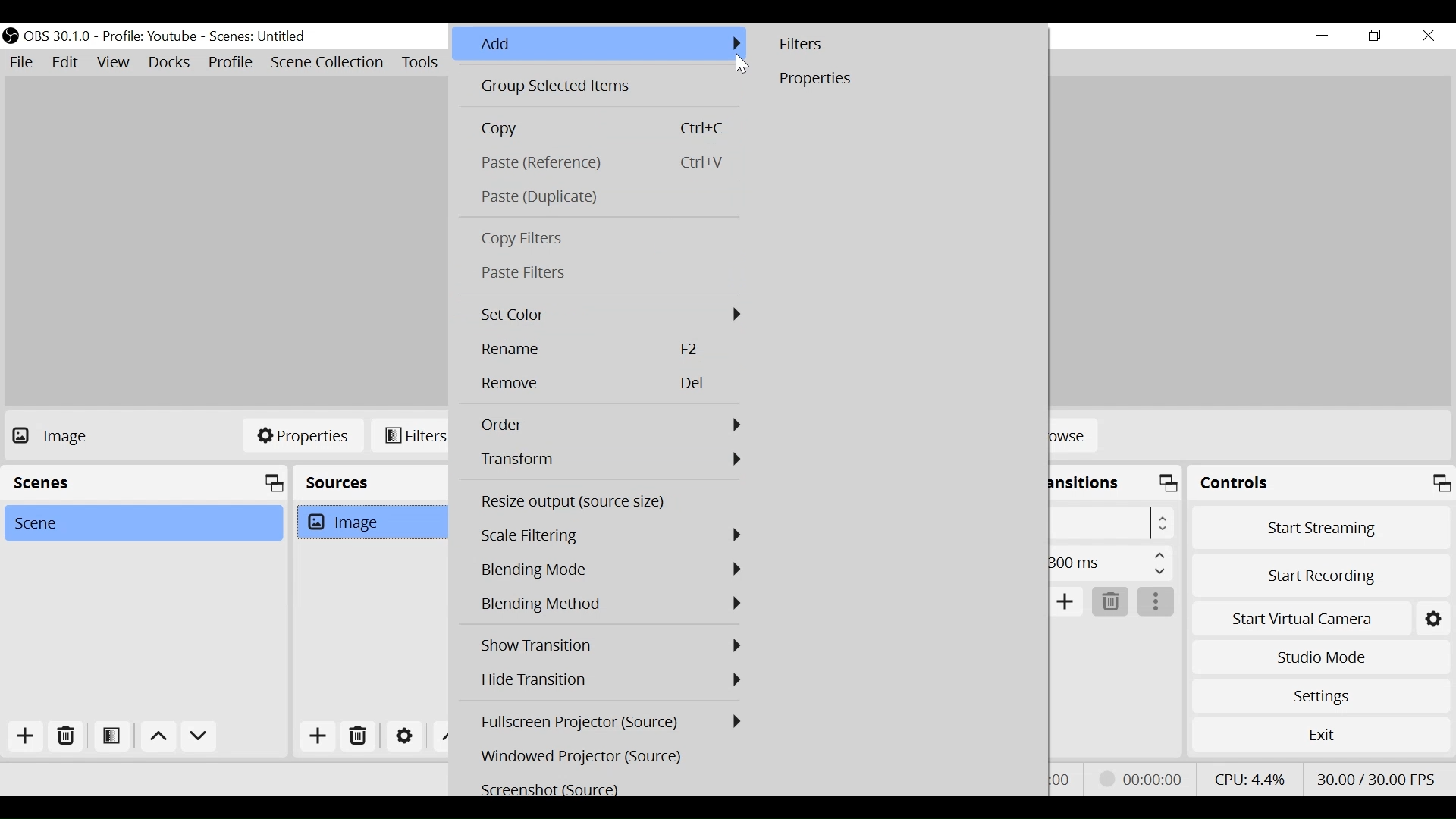 The image size is (1456, 819). What do you see at coordinates (68, 738) in the screenshot?
I see `Delete` at bounding box center [68, 738].